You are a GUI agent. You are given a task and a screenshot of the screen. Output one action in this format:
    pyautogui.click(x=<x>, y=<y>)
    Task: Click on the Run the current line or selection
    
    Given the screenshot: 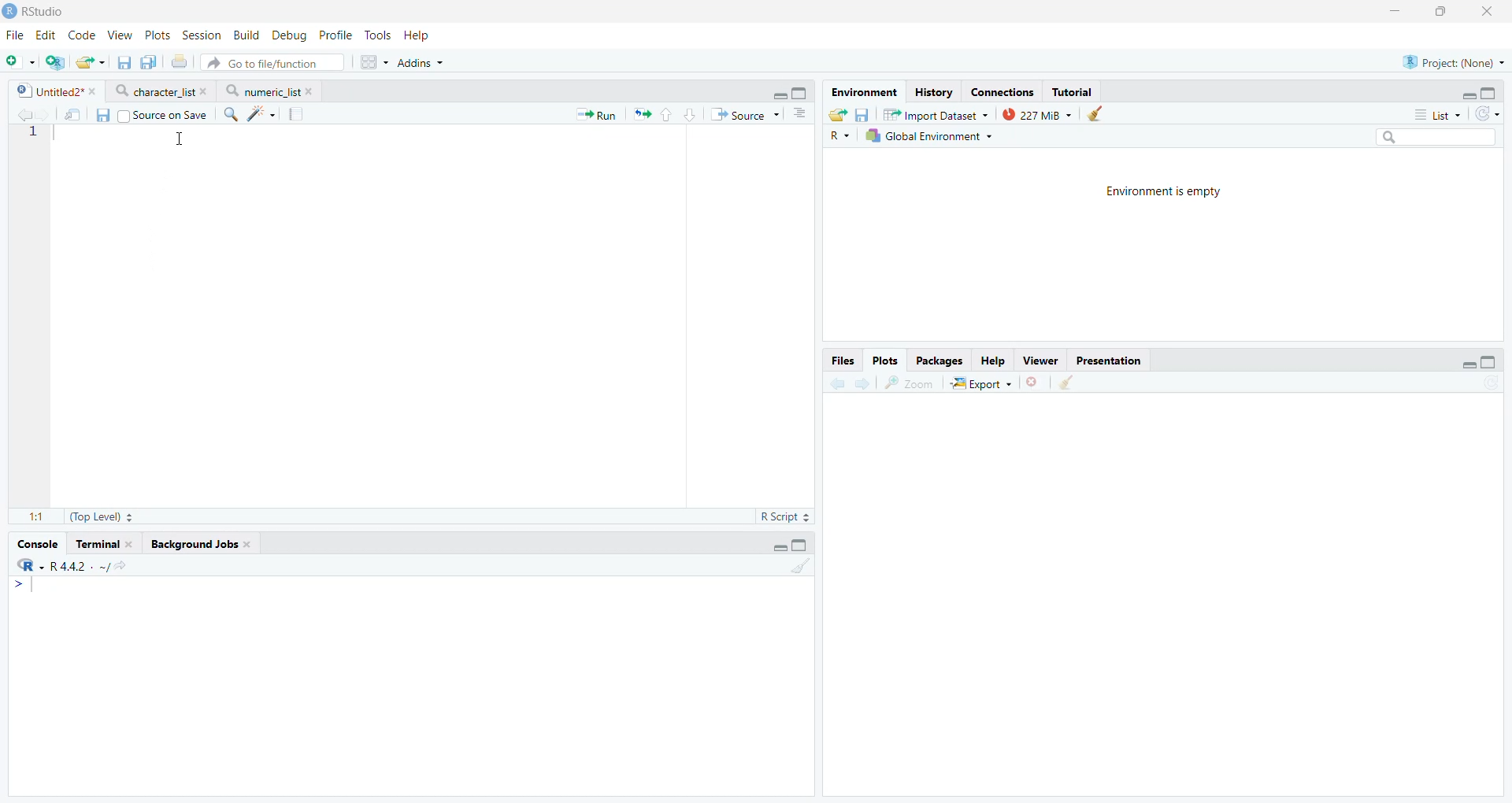 What is the action you would take?
    pyautogui.click(x=596, y=115)
    